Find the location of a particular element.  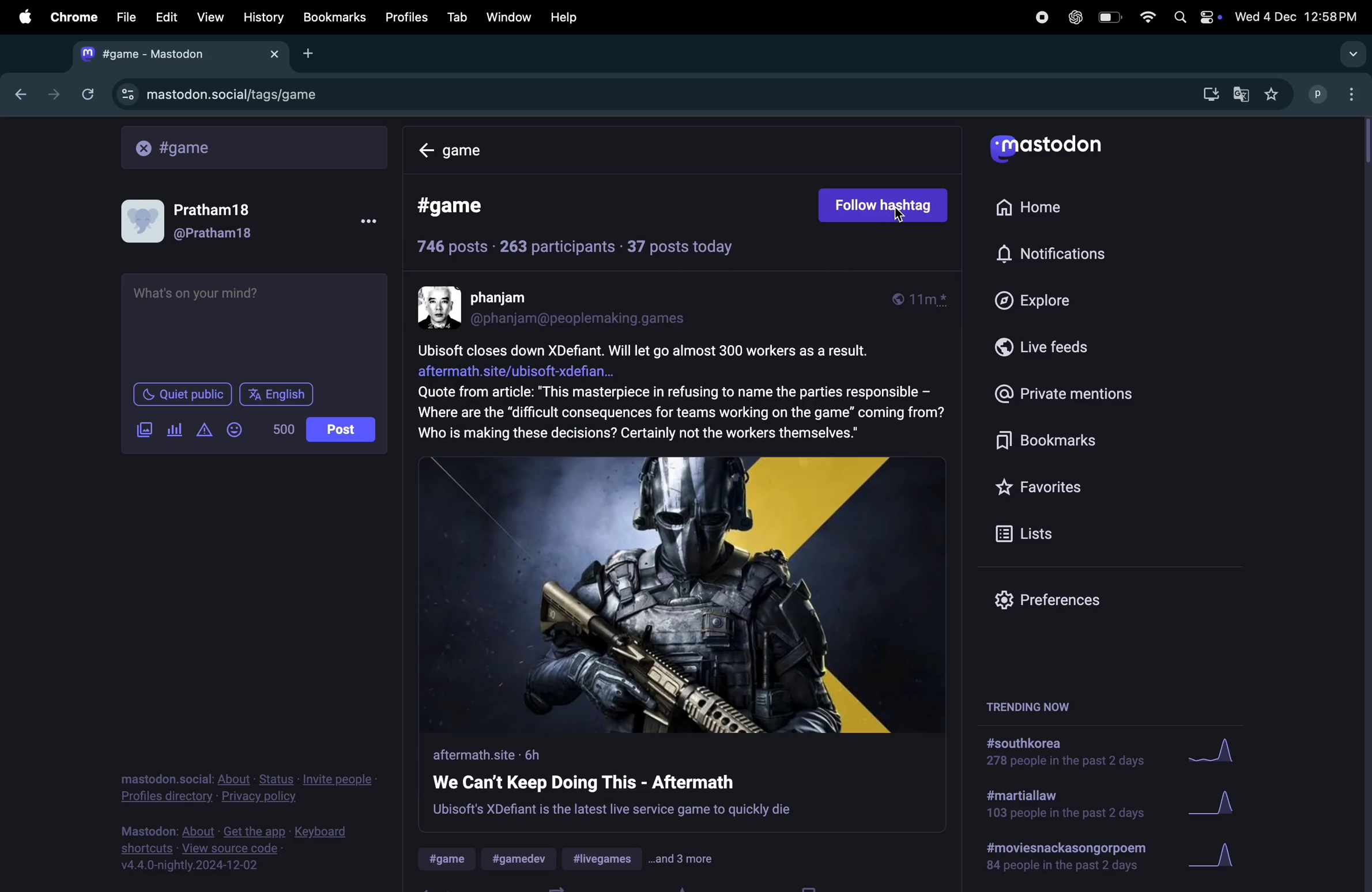

Bookmarks is located at coordinates (1083, 442).